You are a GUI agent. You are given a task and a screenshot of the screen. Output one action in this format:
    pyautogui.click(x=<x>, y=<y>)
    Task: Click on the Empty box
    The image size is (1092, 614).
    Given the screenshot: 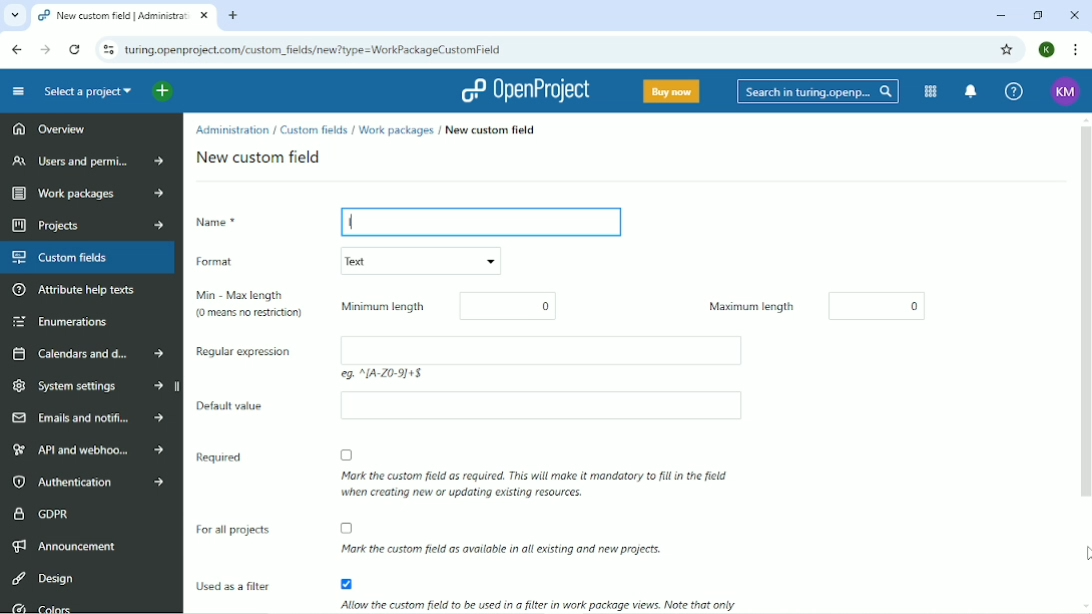 What is the action you would take?
    pyautogui.click(x=554, y=346)
    